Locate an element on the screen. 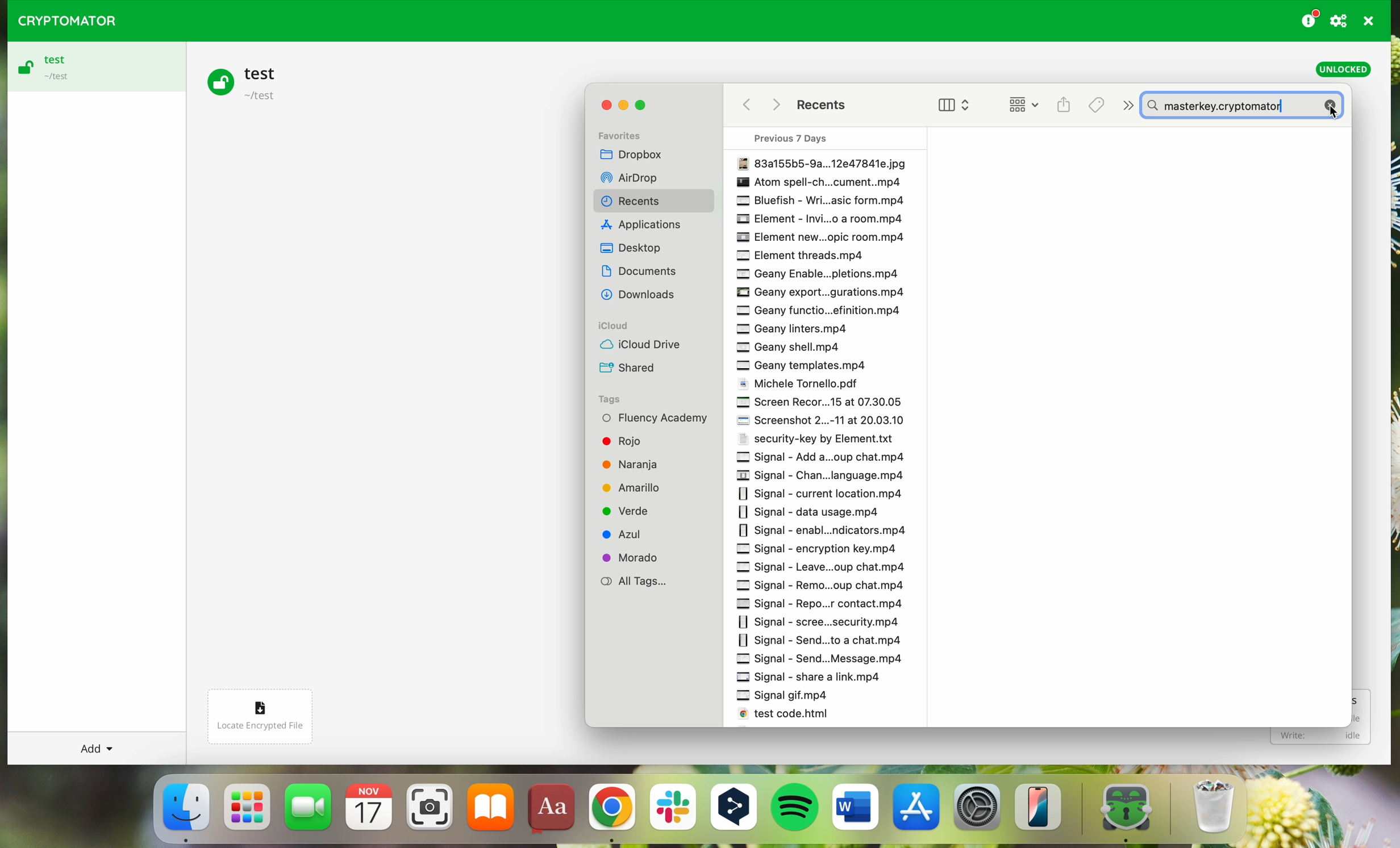 The image size is (1400, 848). Spotify is located at coordinates (797, 809).